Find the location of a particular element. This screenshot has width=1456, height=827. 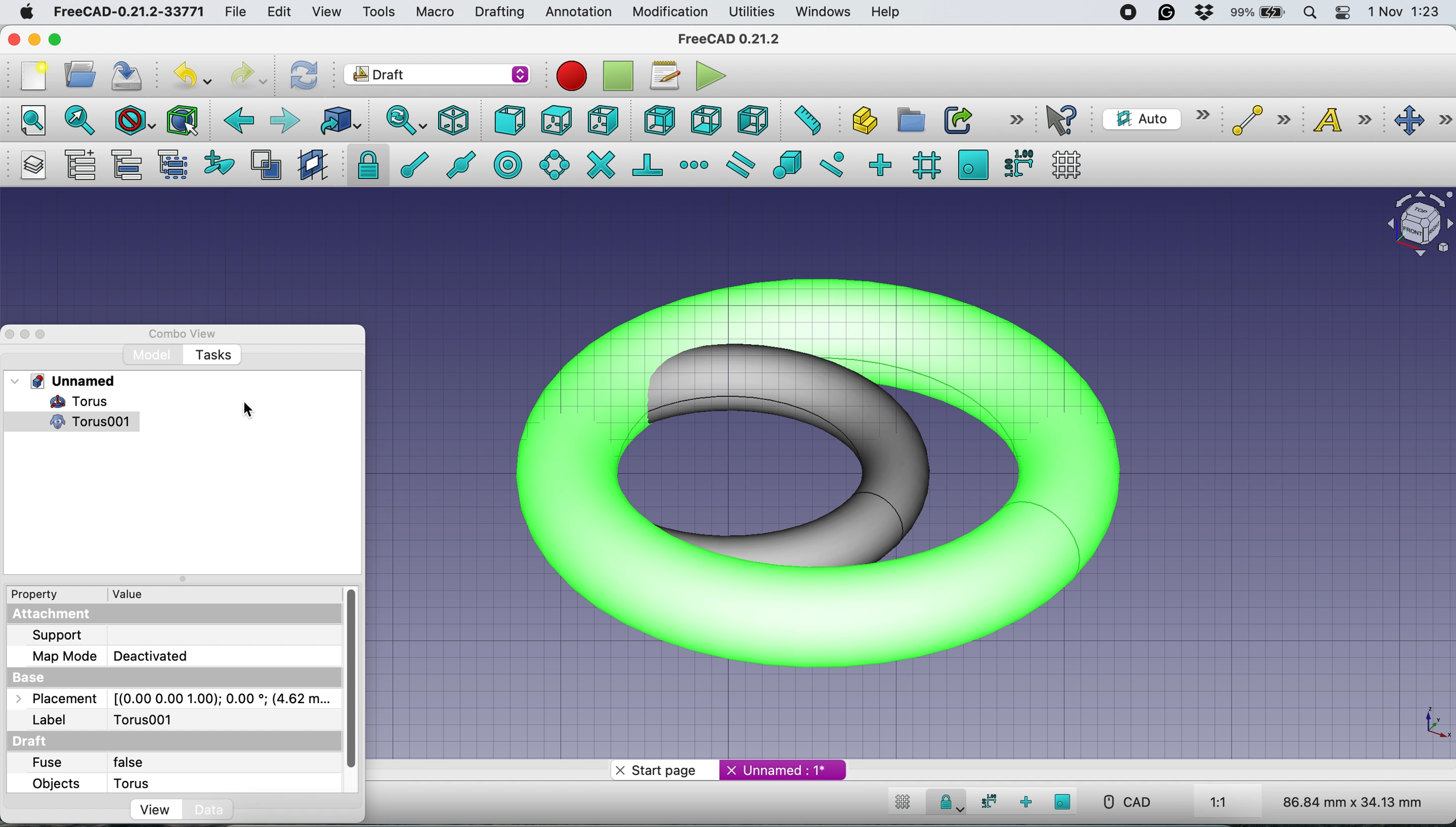

snap dimensions is located at coordinates (1017, 163).